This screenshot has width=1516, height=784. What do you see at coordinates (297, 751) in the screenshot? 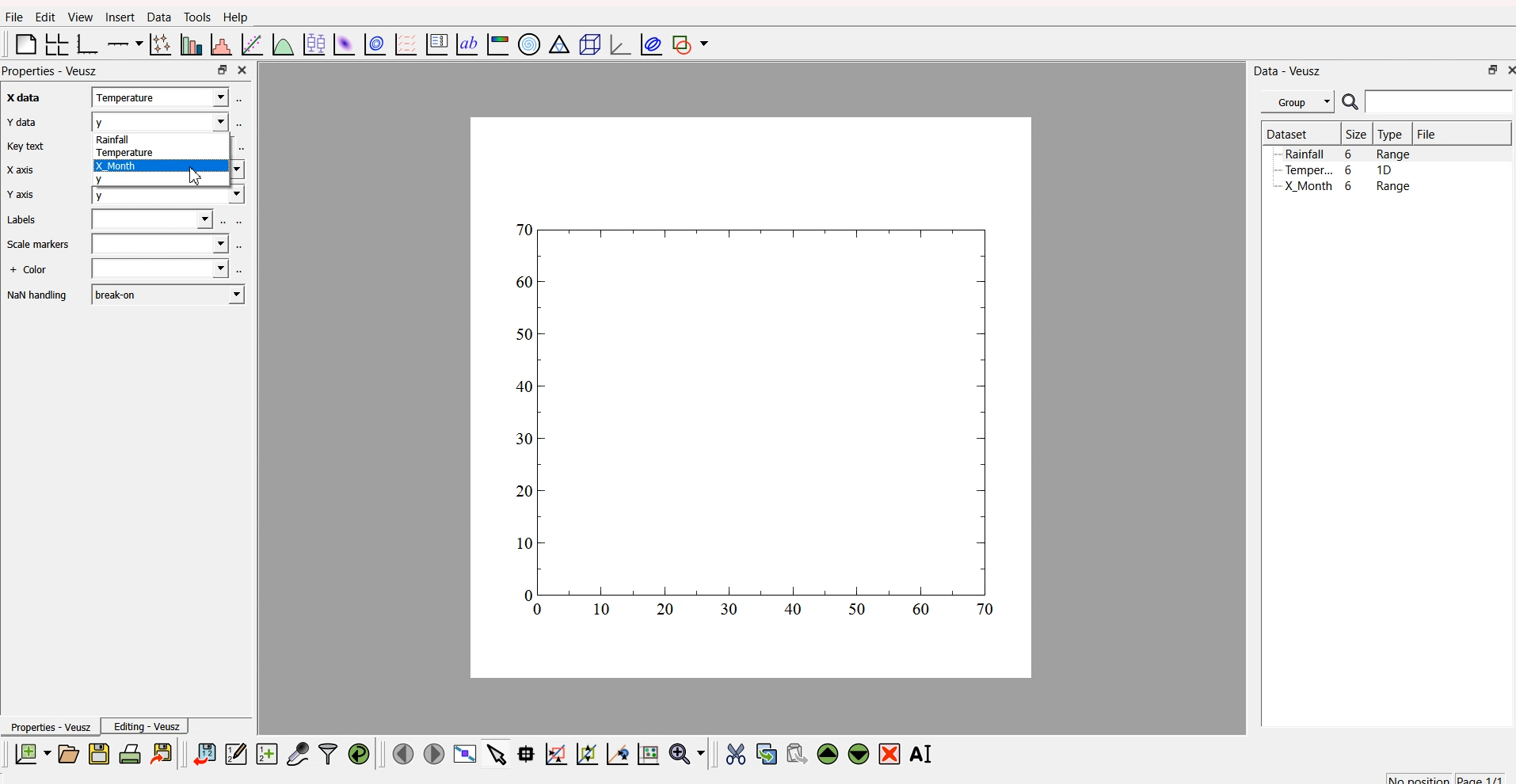
I see `capture a dataset` at bounding box center [297, 751].